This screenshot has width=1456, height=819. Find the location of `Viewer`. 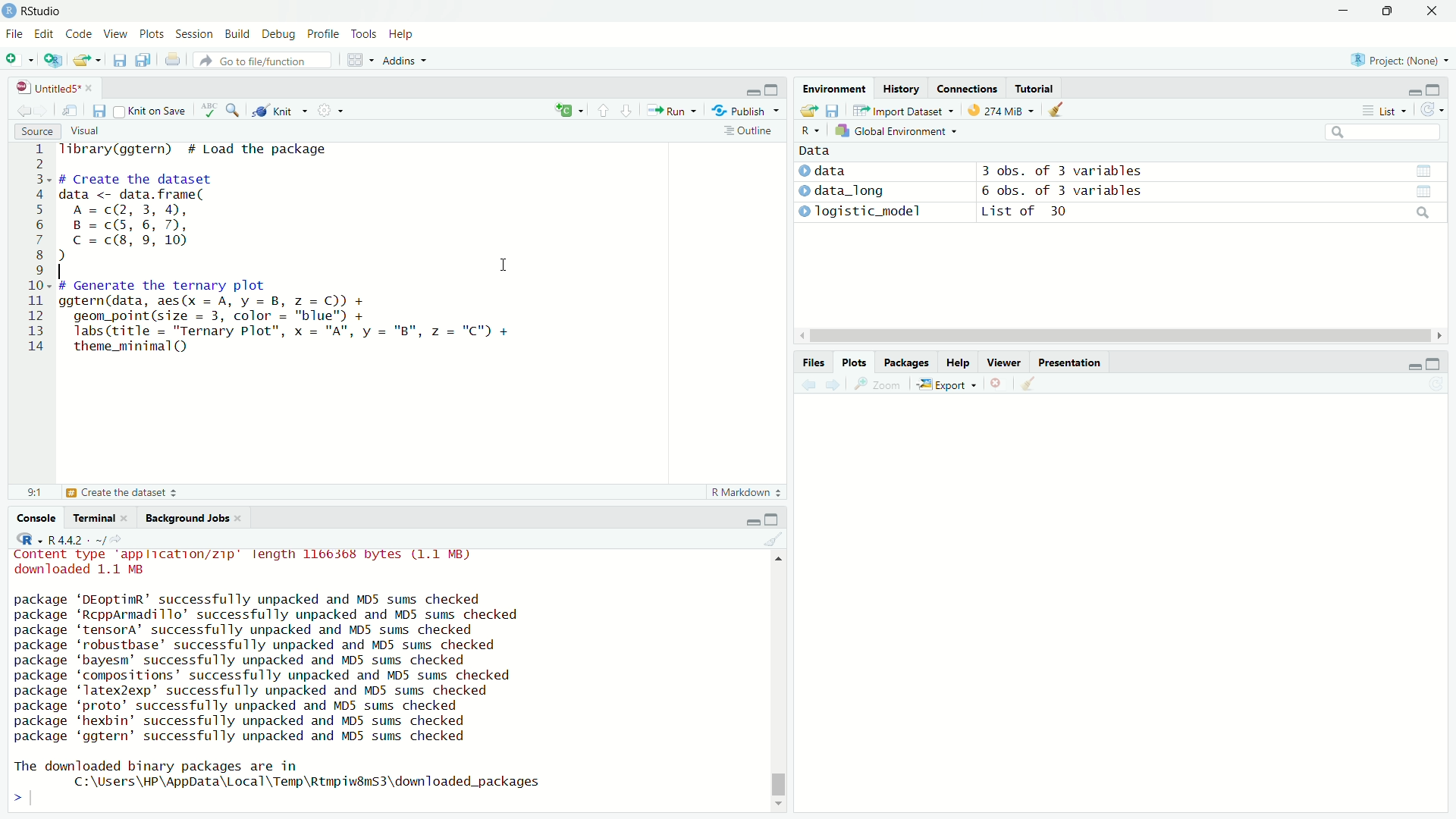

Viewer is located at coordinates (1005, 365).